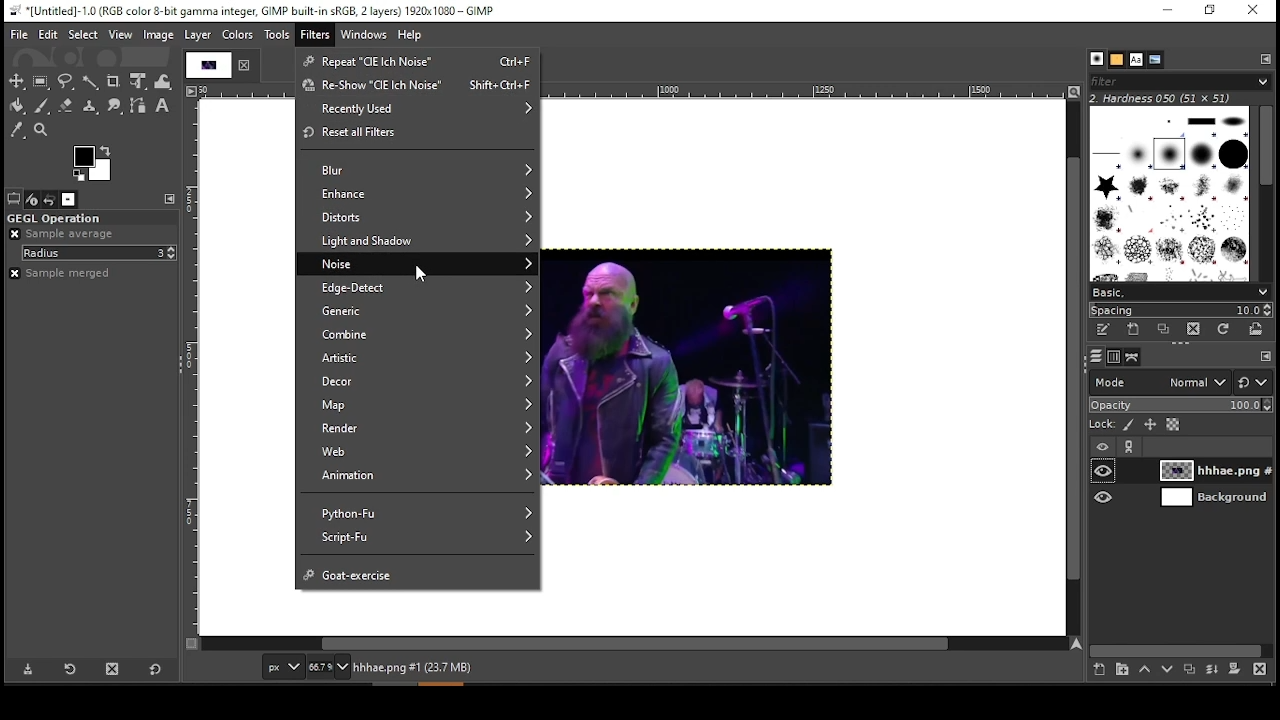 This screenshot has width=1280, height=720. I want to click on layer , so click(1212, 497).